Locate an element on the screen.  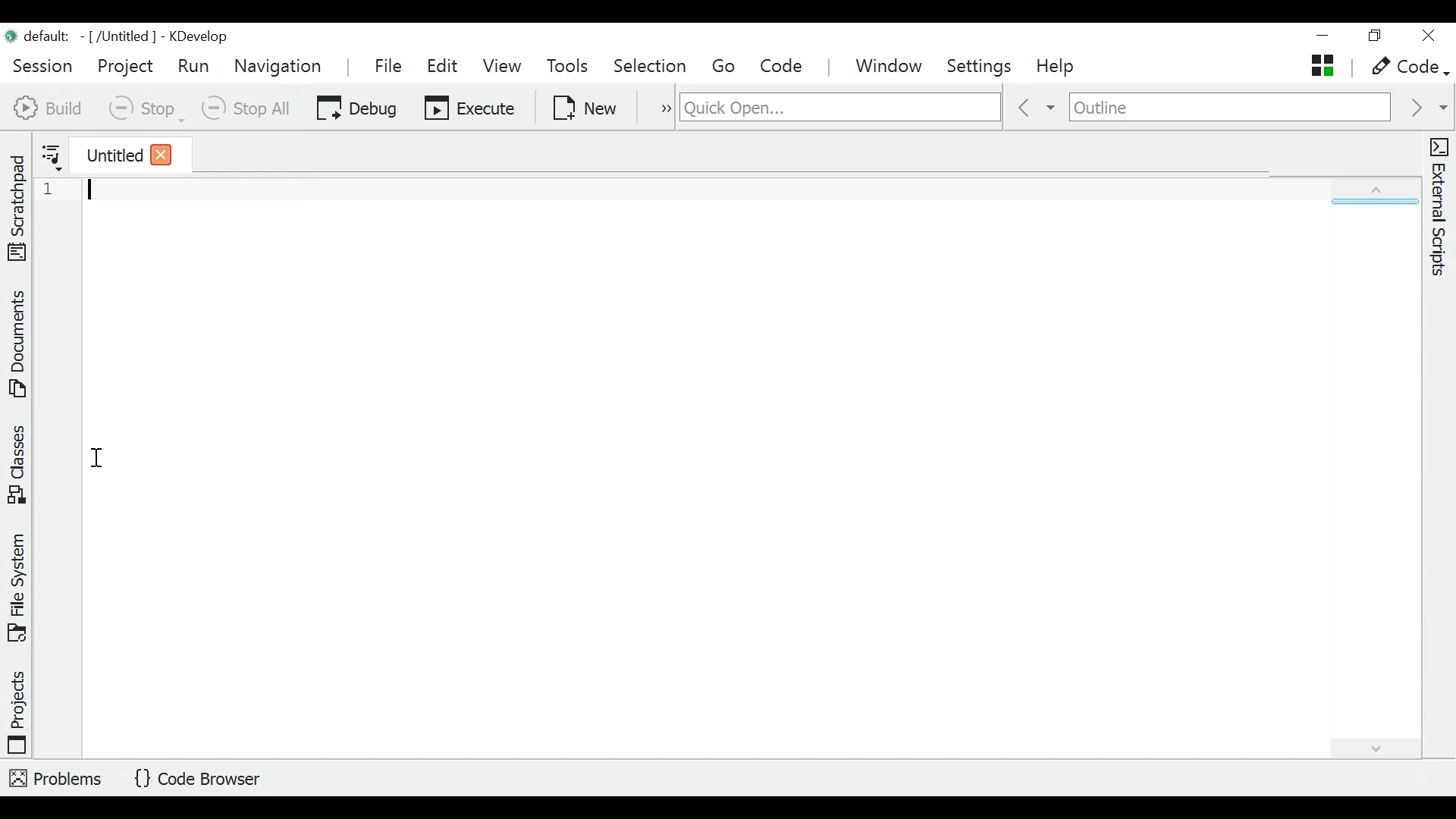
more is located at coordinates (661, 106).